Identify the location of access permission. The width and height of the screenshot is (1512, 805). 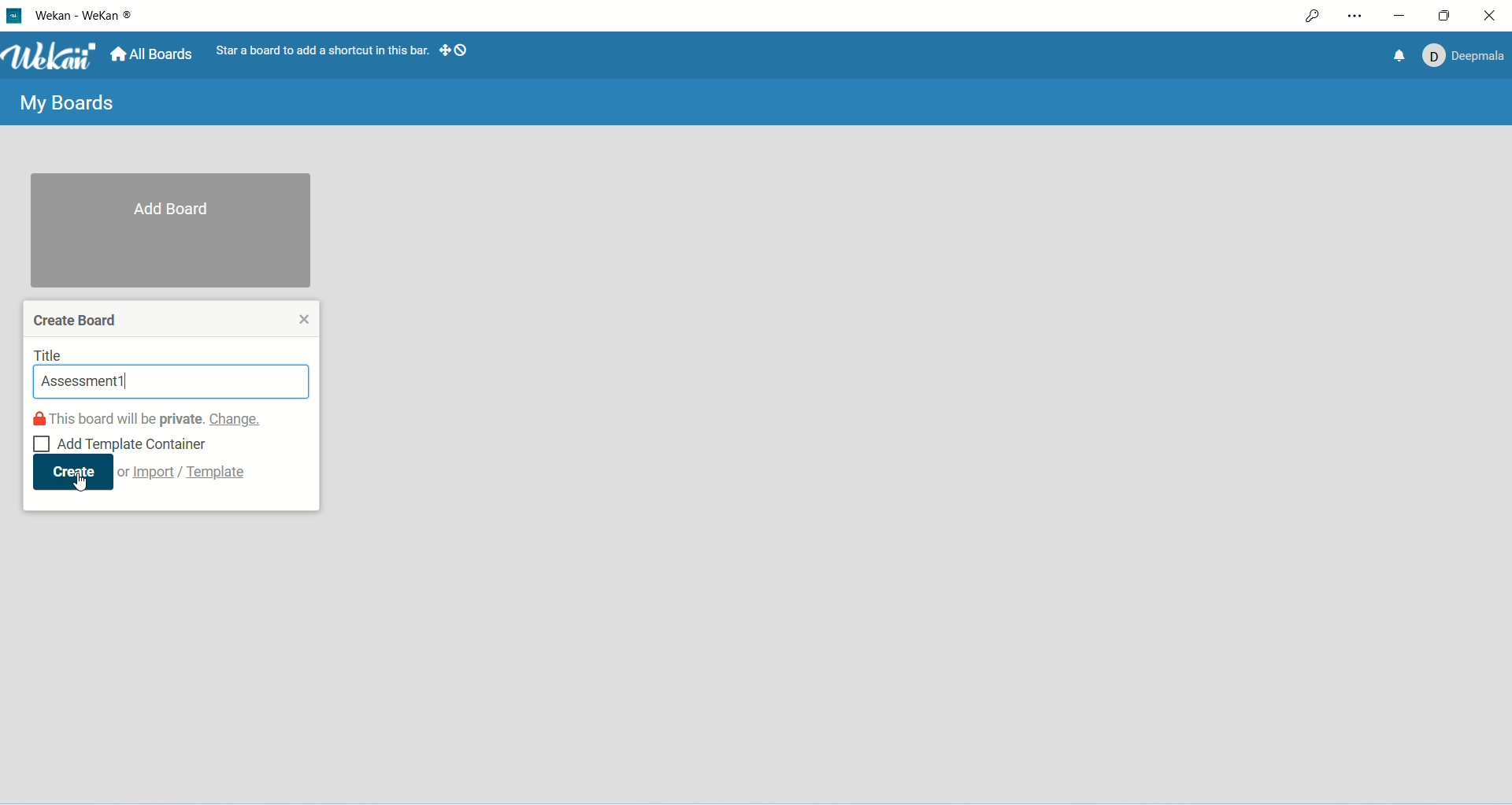
(1313, 16).